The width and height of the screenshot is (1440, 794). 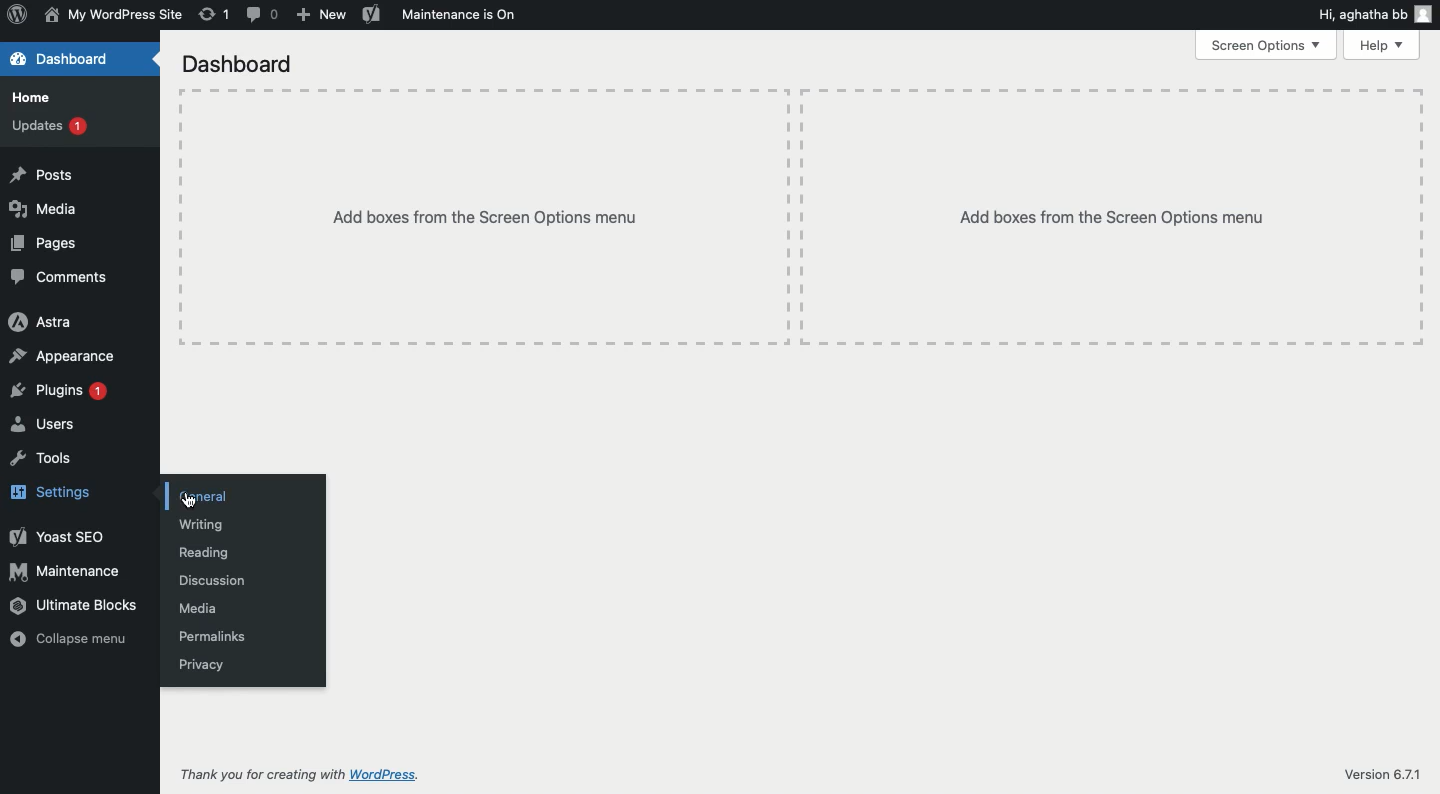 What do you see at coordinates (215, 14) in the screenshot?
I see `Revision` at bounding box center [215, 14].